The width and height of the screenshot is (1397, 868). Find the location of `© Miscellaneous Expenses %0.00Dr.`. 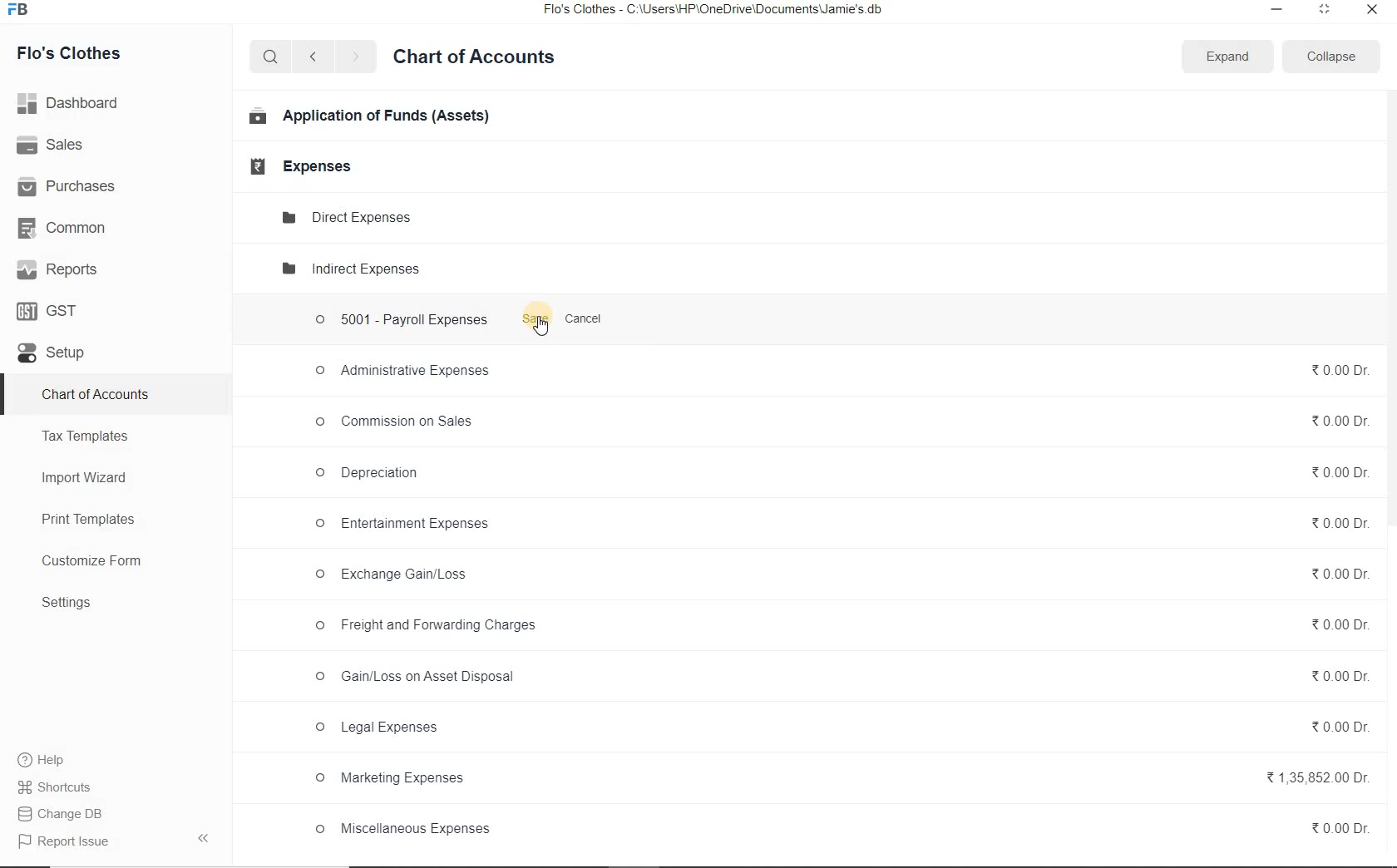

© Miscellaneous Expenses %0.00Dr. is located at coordinates (841, 830).